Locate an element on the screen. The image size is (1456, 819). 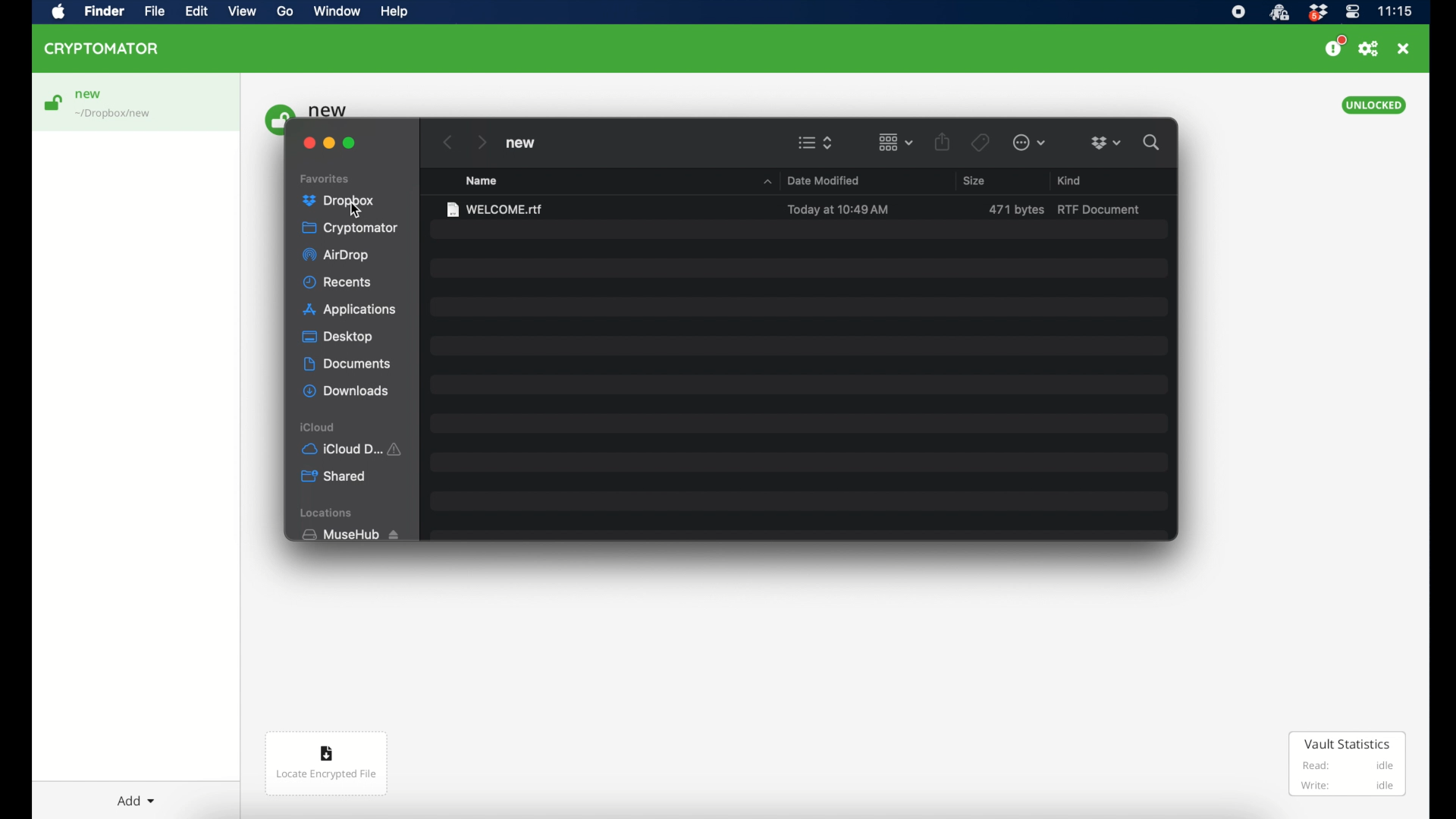
shared is located at coordinates (334, 476).